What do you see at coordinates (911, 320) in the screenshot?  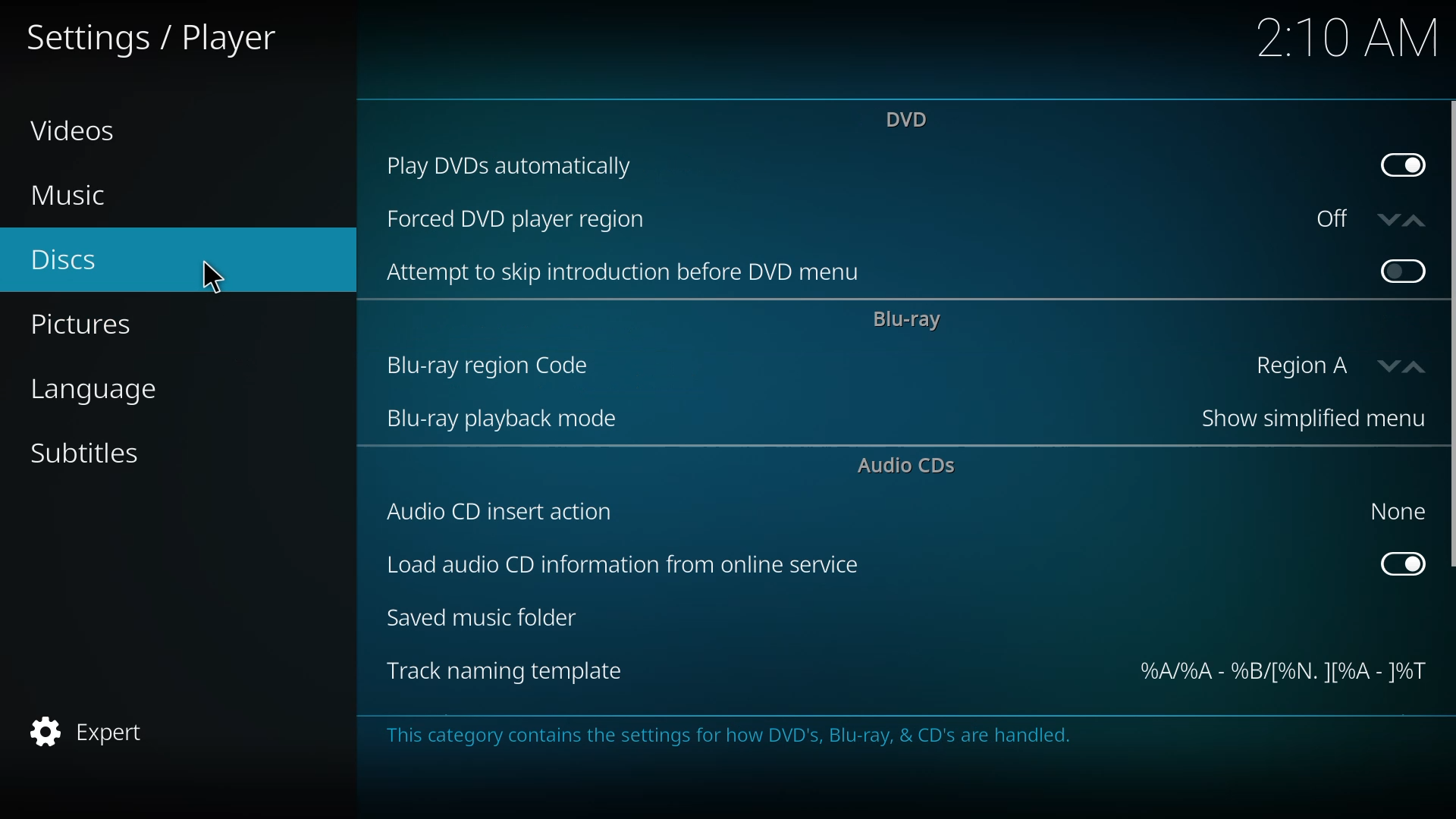 I see `bluray` at bounding box center [911, 320].